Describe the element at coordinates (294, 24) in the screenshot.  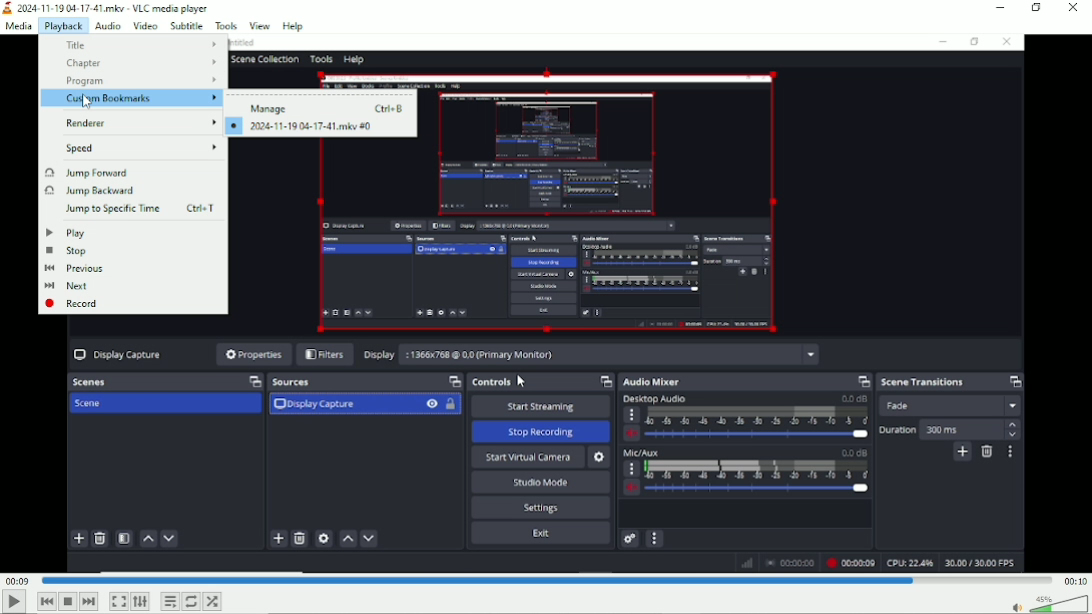
I see `help` at that location.